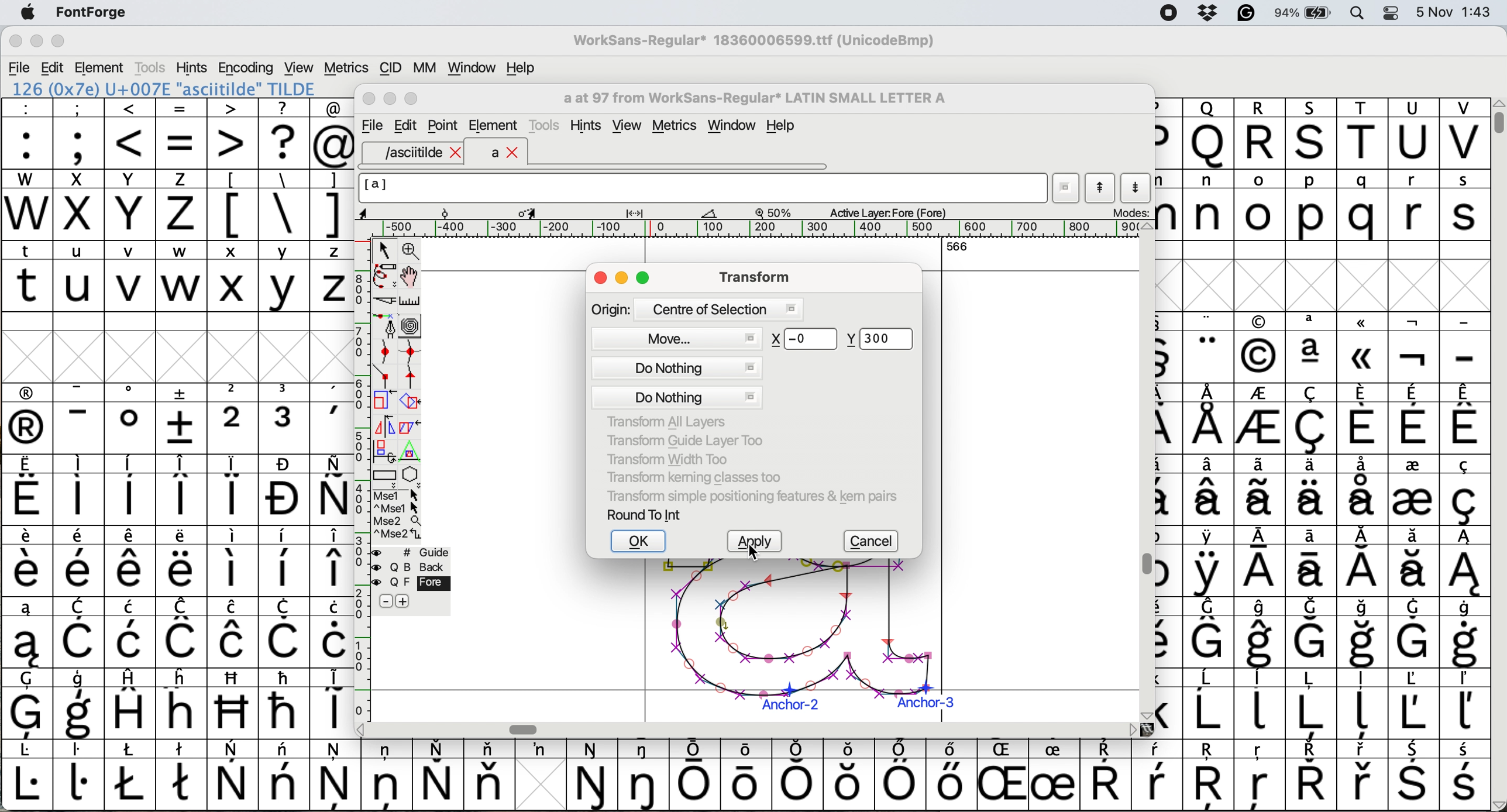 This screenshot has width=1507, height=812. What do you see at coordinates (694, 477) in the screenshot?
I see `transform kerning classes too` at bounding box center [694, 477].